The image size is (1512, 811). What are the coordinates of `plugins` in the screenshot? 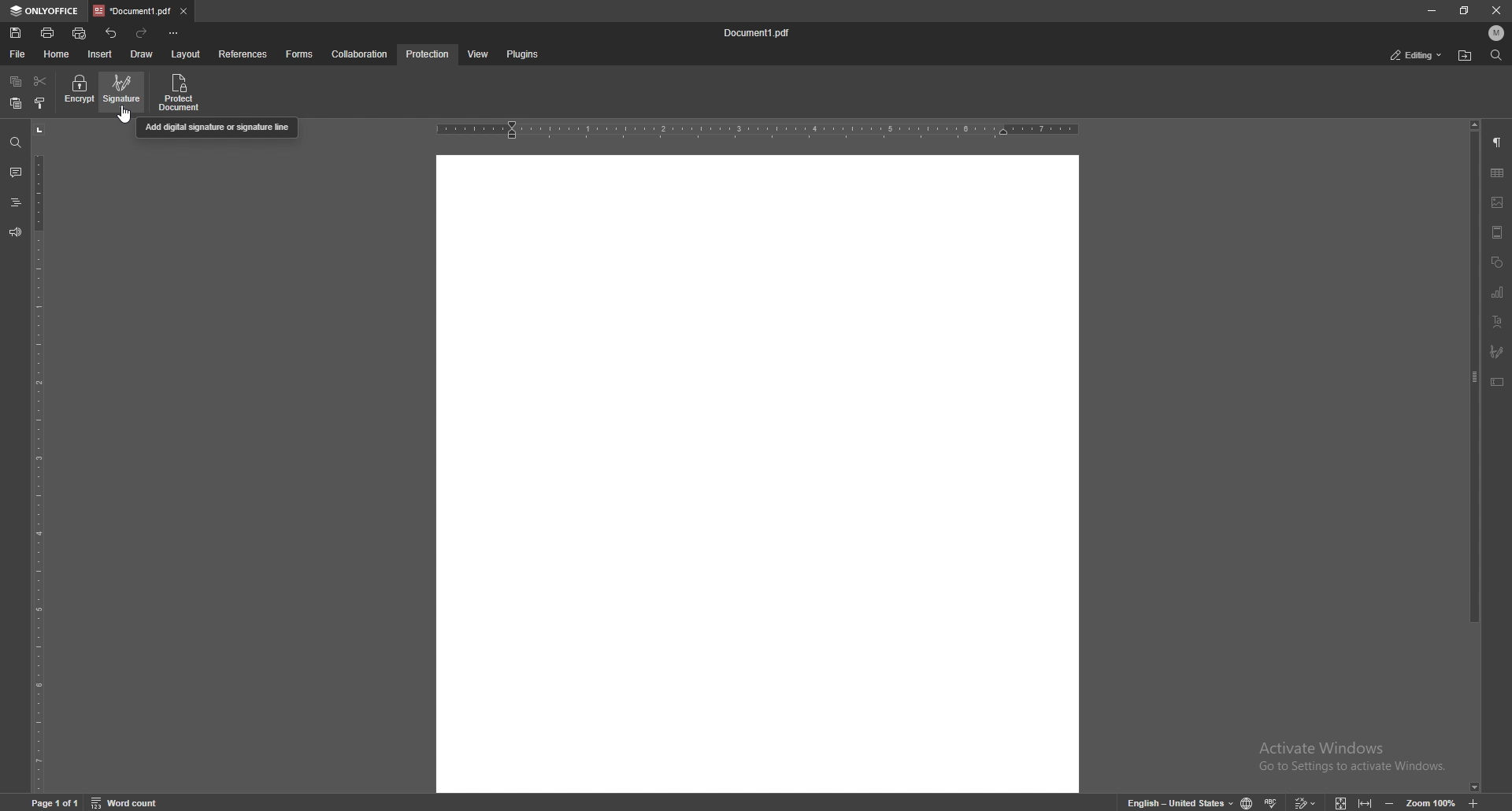 It's located at (521, 55).